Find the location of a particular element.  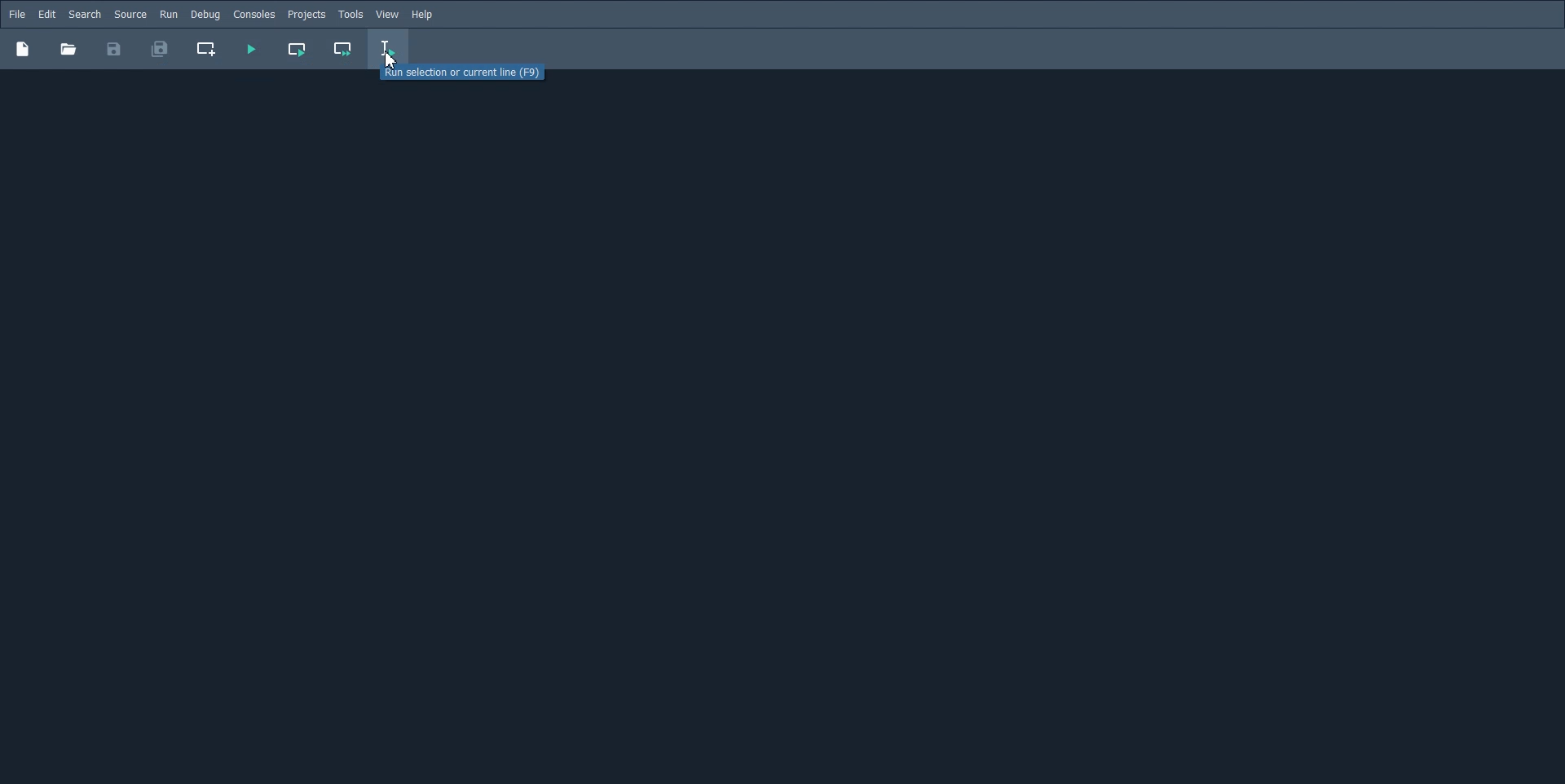

 is located at coordinates (68, 49).